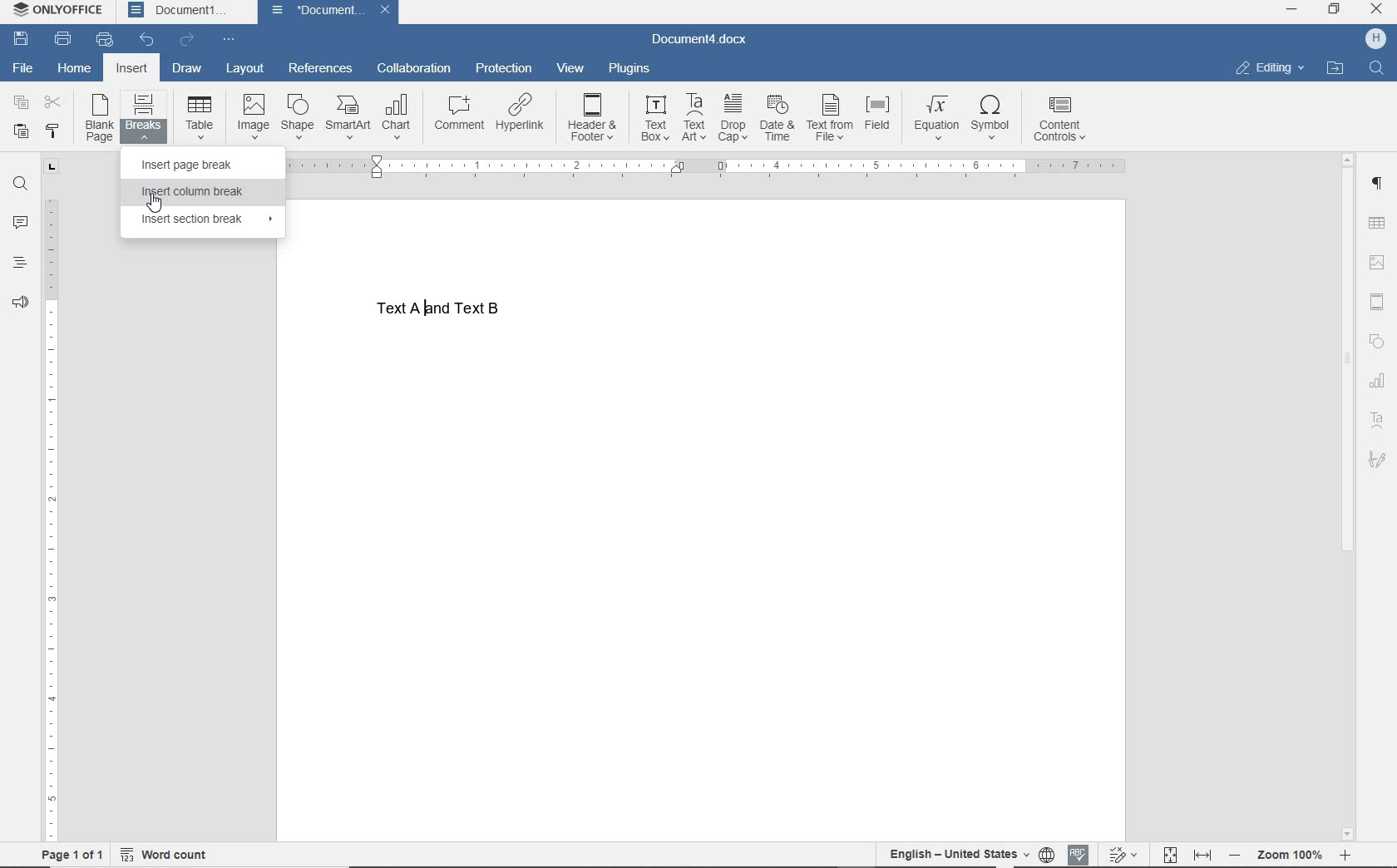 This screenshot has height=868, width=1397. Describe the element at coordinates (28, 69) in the screenshot. I see `FILE` at that location.